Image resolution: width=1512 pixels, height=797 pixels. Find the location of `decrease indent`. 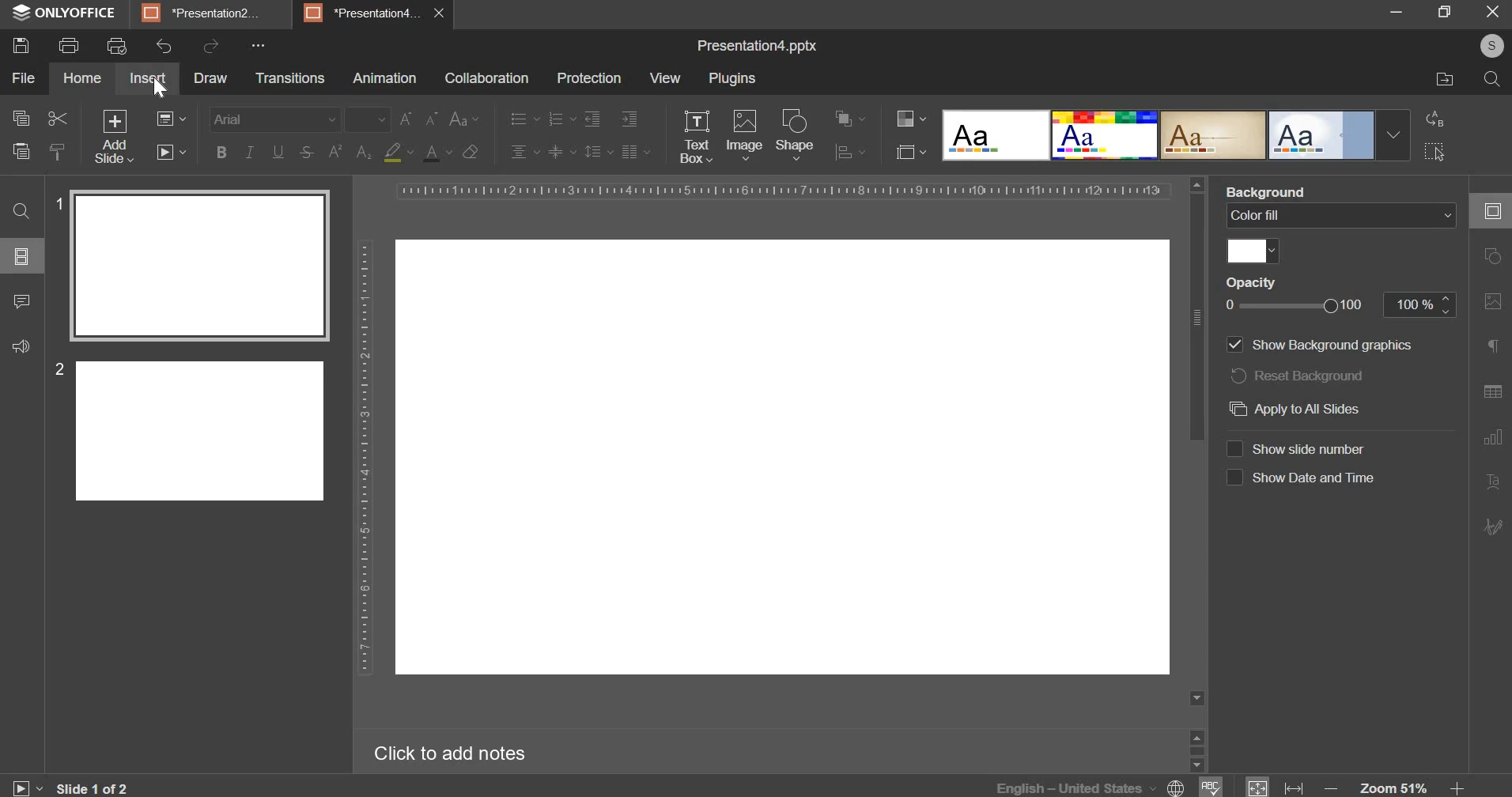

decrease indent is located at coordinates (591, 119).